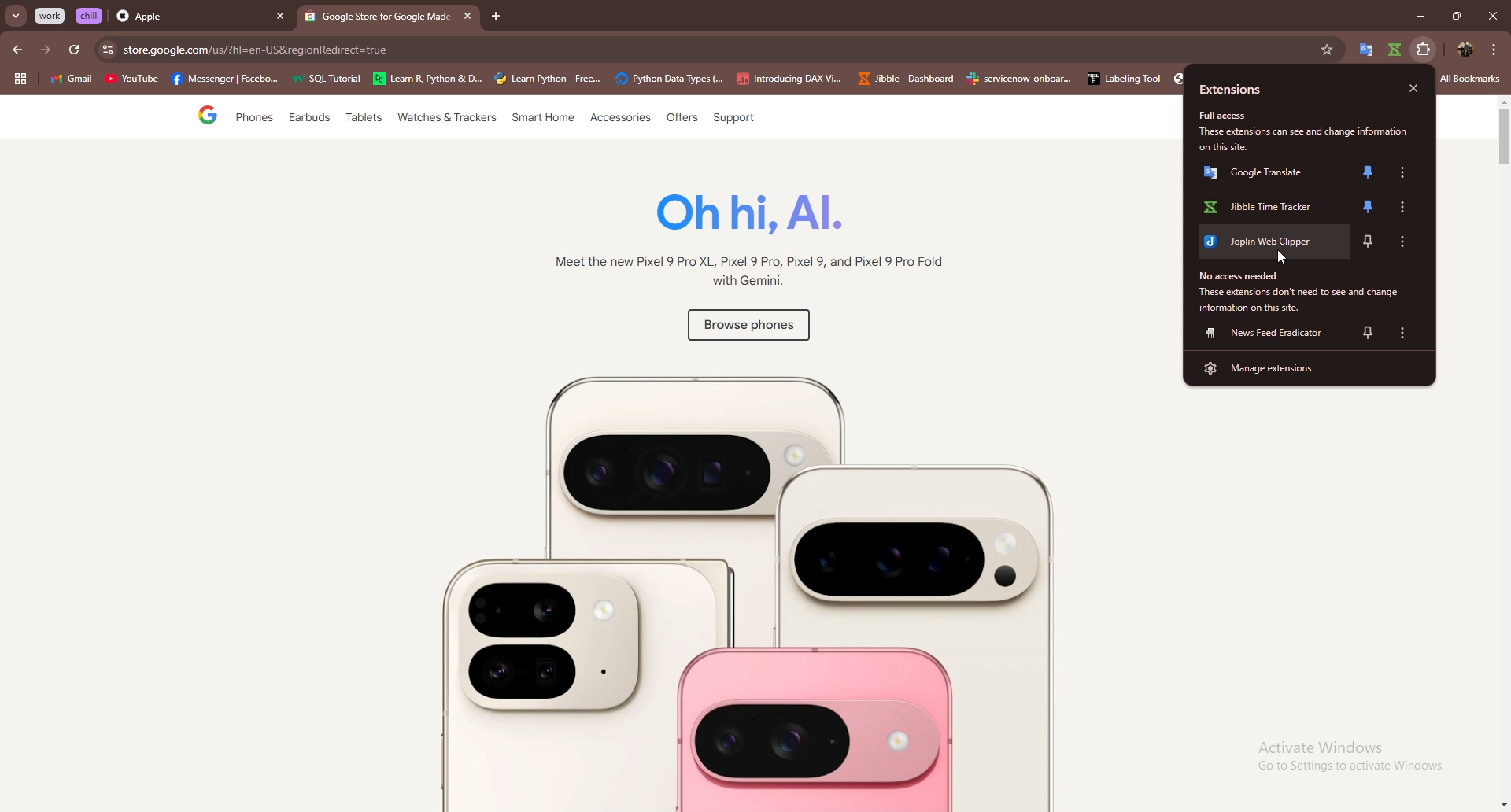 The height and width of the screenshot is (812, 1511). Describe the element at coordinates (1394, 50) in the screenshot. I see `jibble ` at that location.